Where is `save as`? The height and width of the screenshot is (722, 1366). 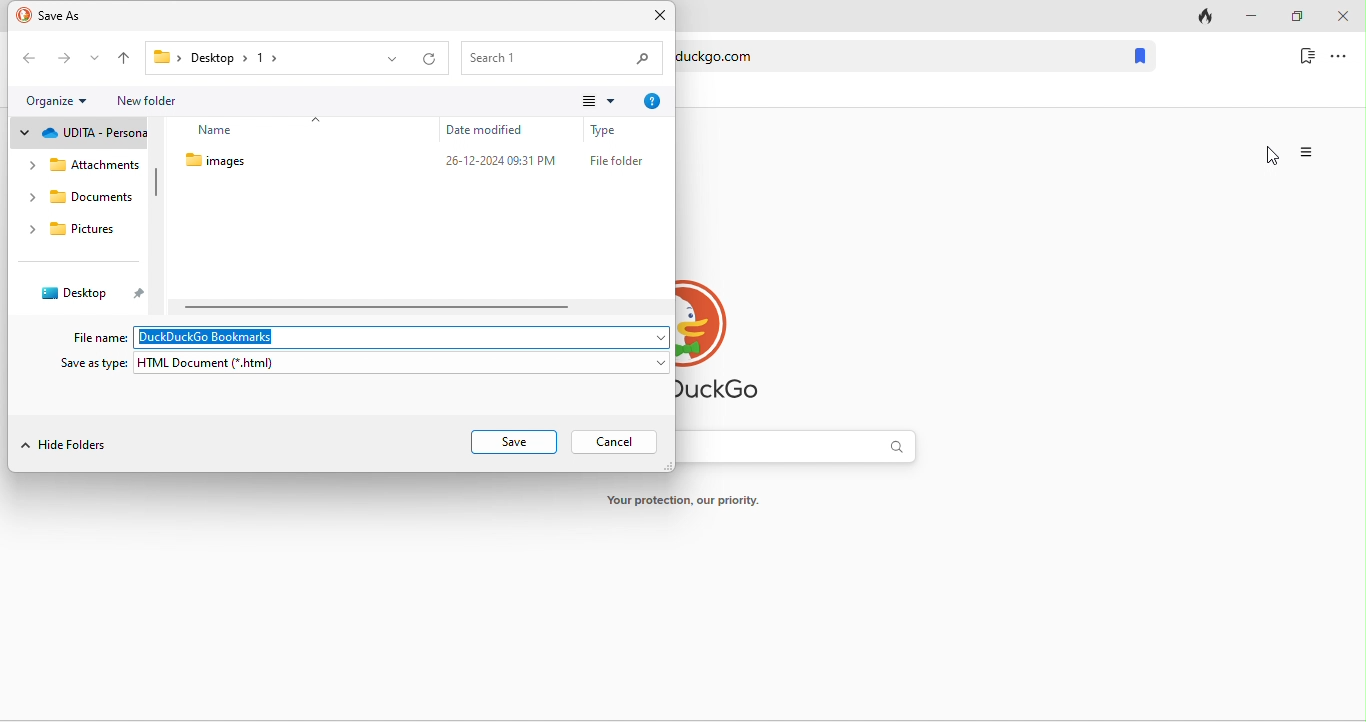
save as is located at coordinates (59, 17).